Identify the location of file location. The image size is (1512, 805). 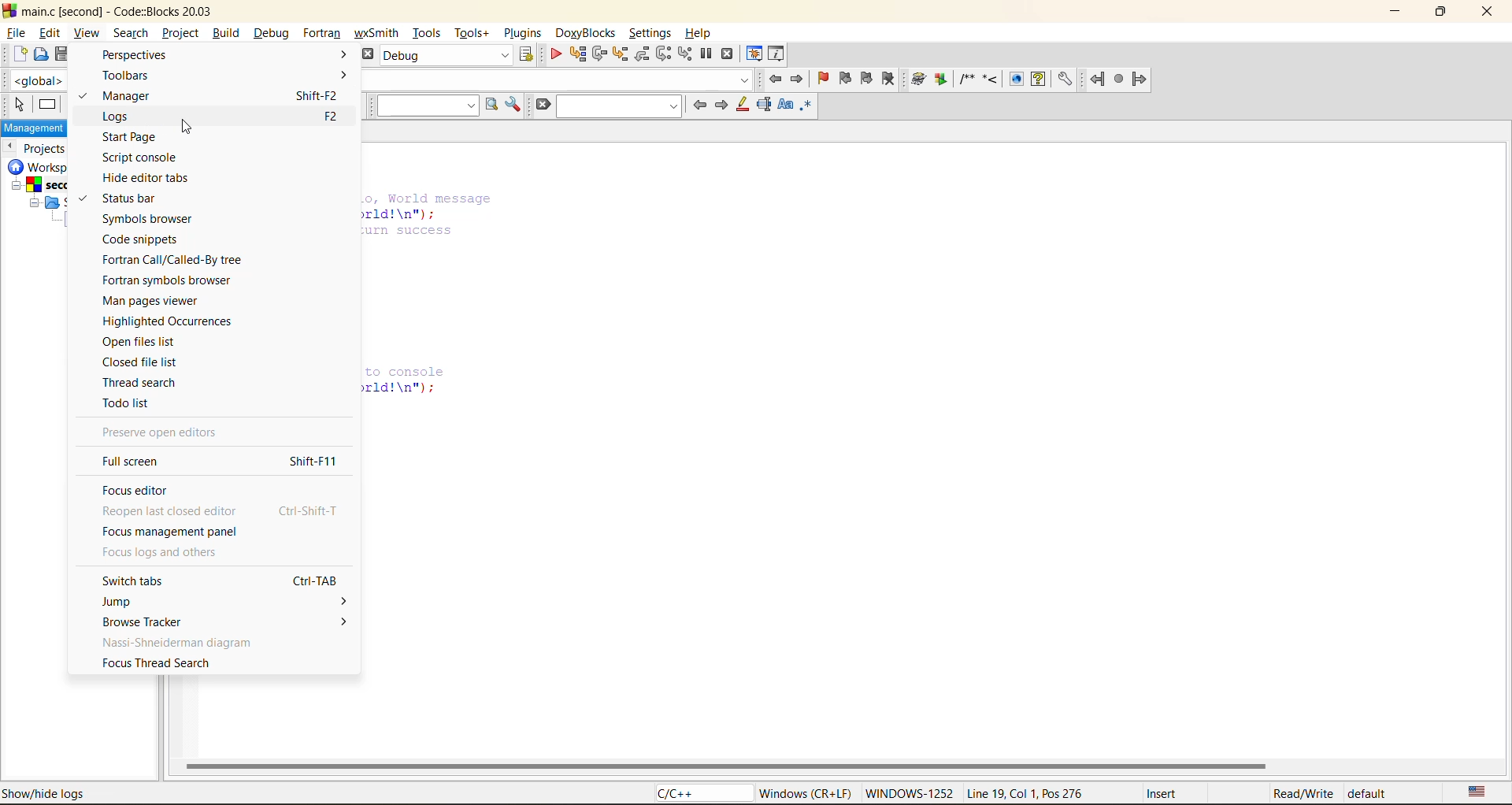
(117, 793).